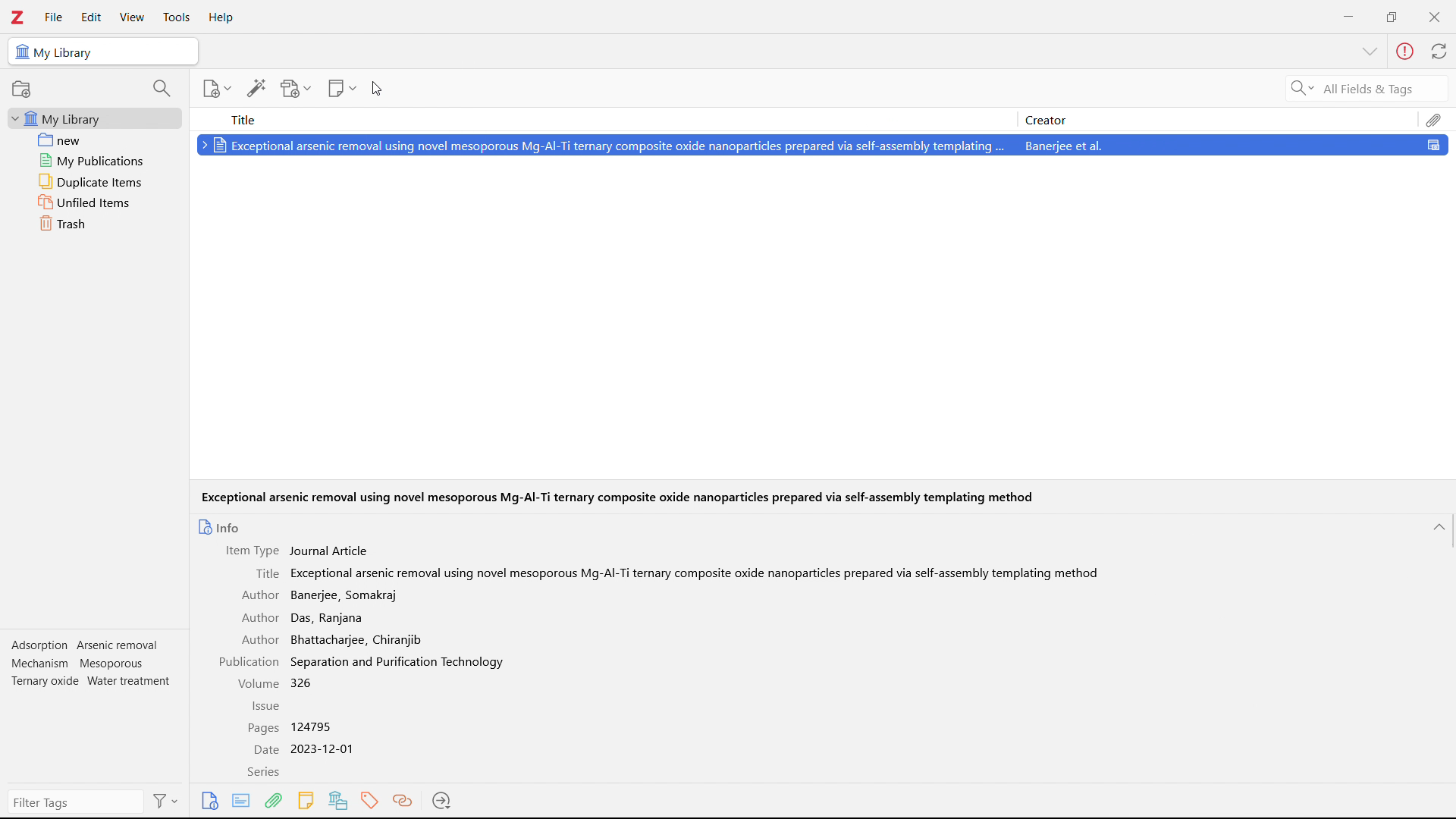  What do you see at coordinates (264, 749) in the screenshot?
I see `Date` at bounding box center [264, 749].